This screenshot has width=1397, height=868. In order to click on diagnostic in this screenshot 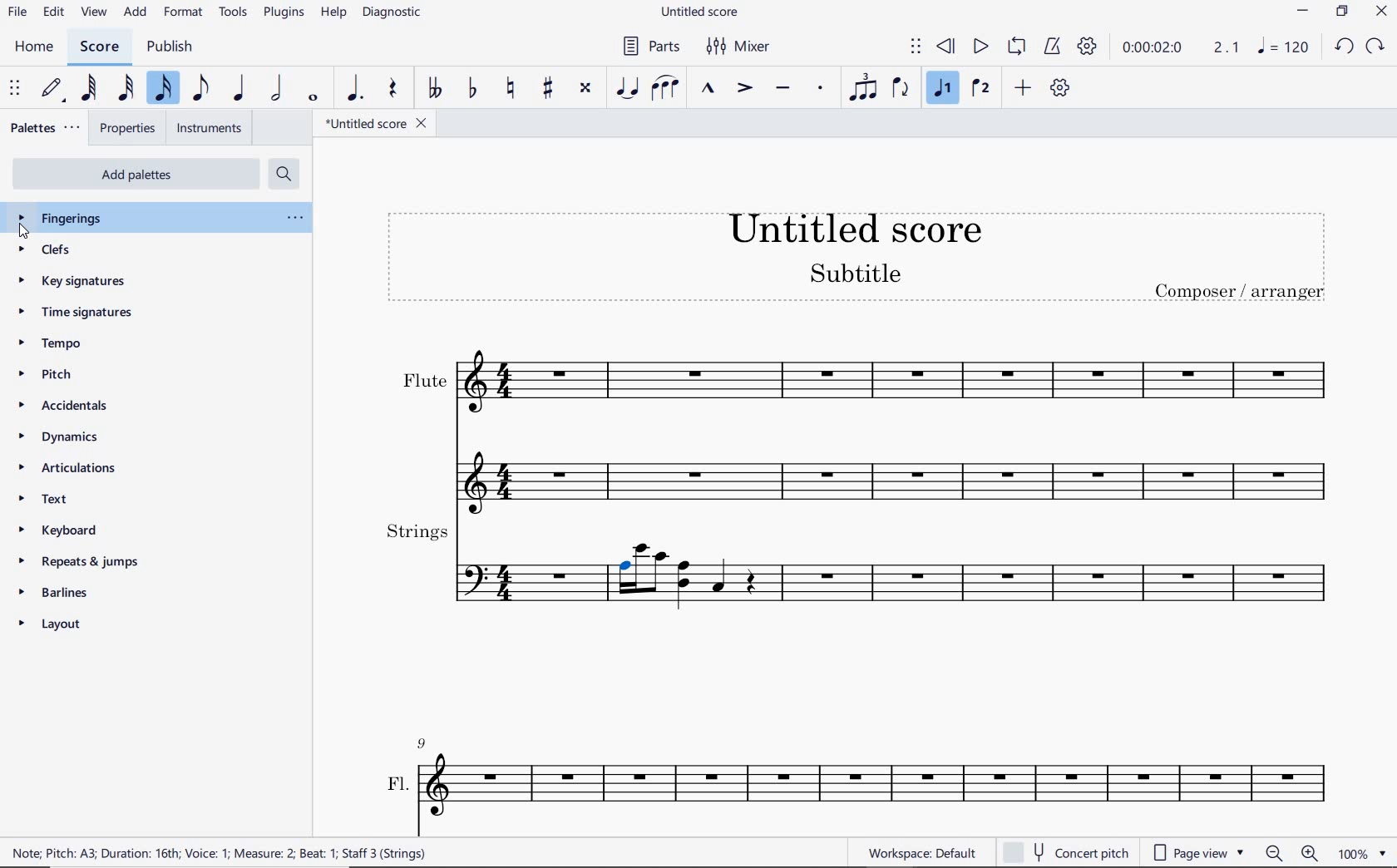, I will do `click(394, 13)`.